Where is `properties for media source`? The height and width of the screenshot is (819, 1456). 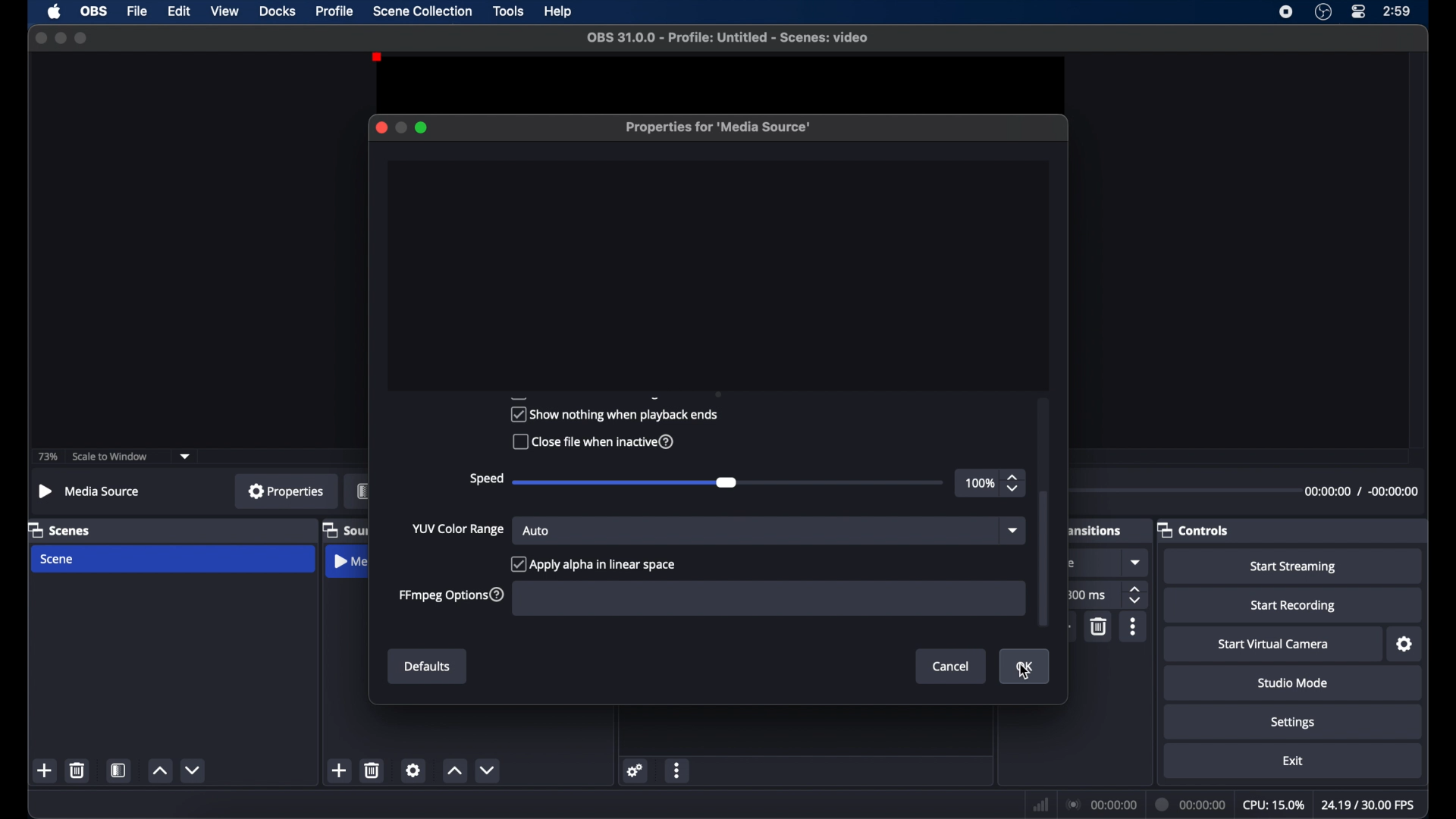 properties for media source is located at coordinates (717, 127).